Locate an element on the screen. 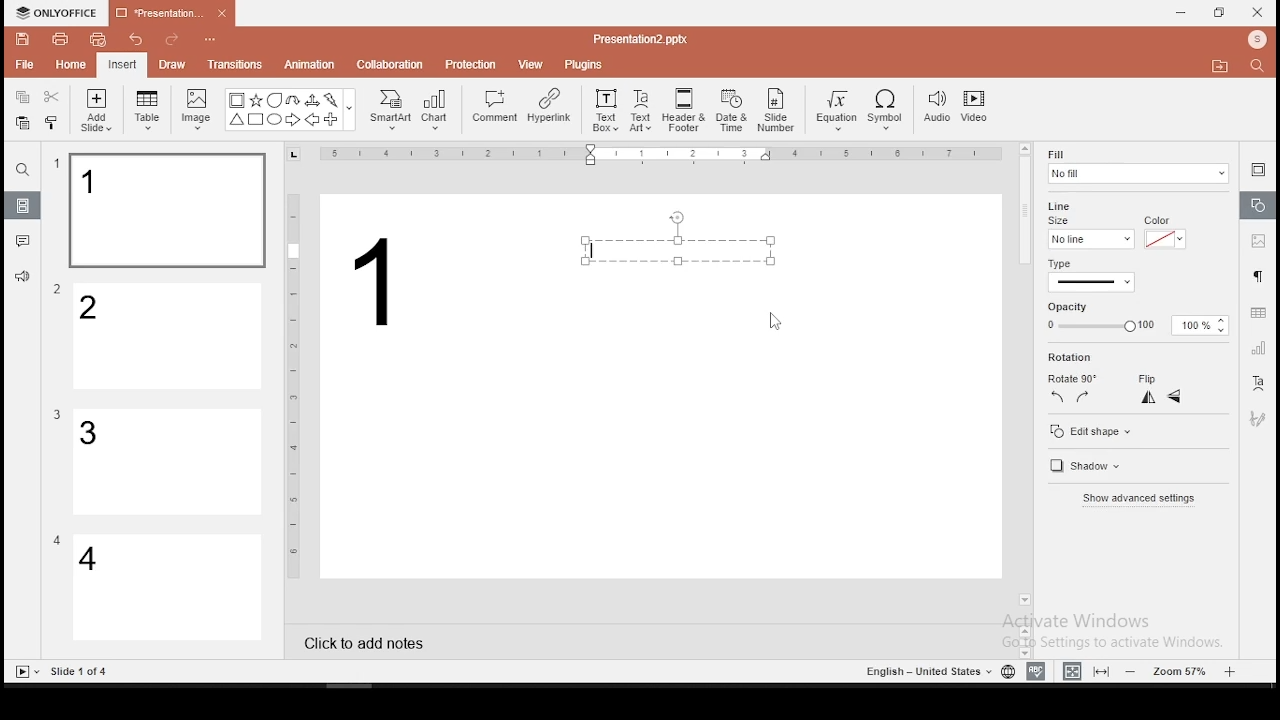 The width and height of the screenshot is (1280, 720). file is located at coordinates (24, 66).